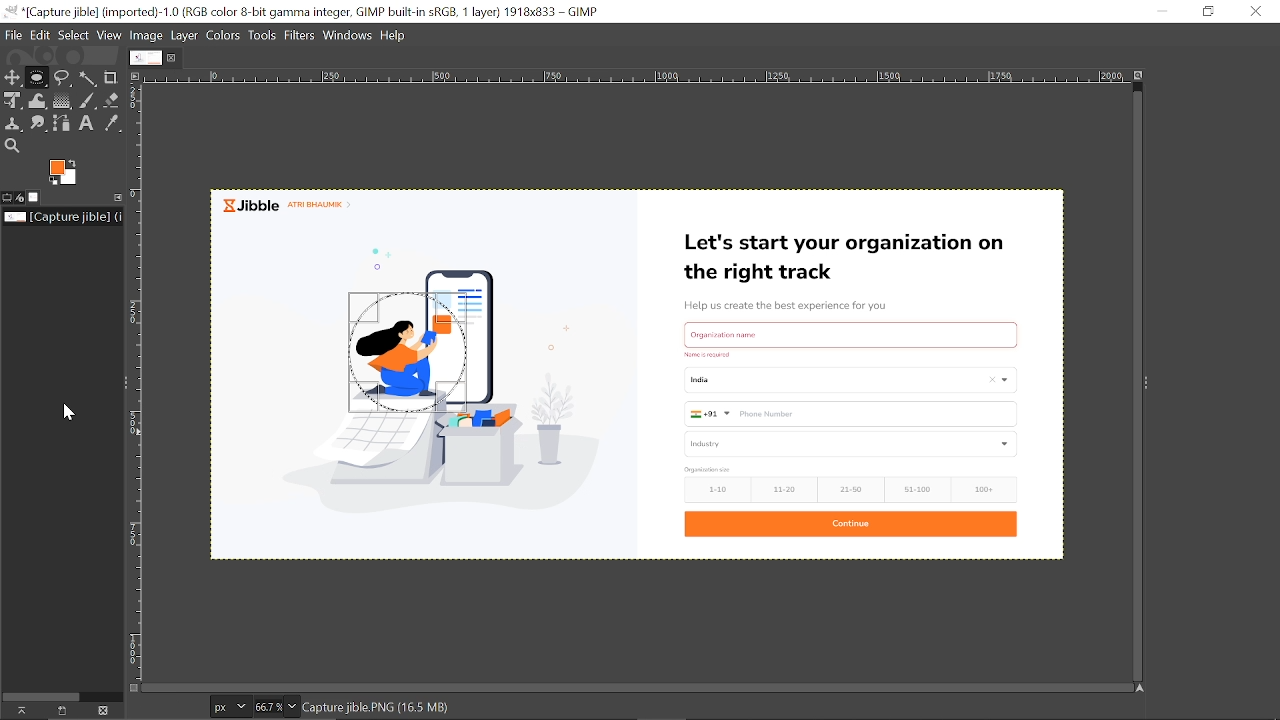  Describe the element at coordinates (112, 77) in the screenshot. I see `Crop tool` at that location.